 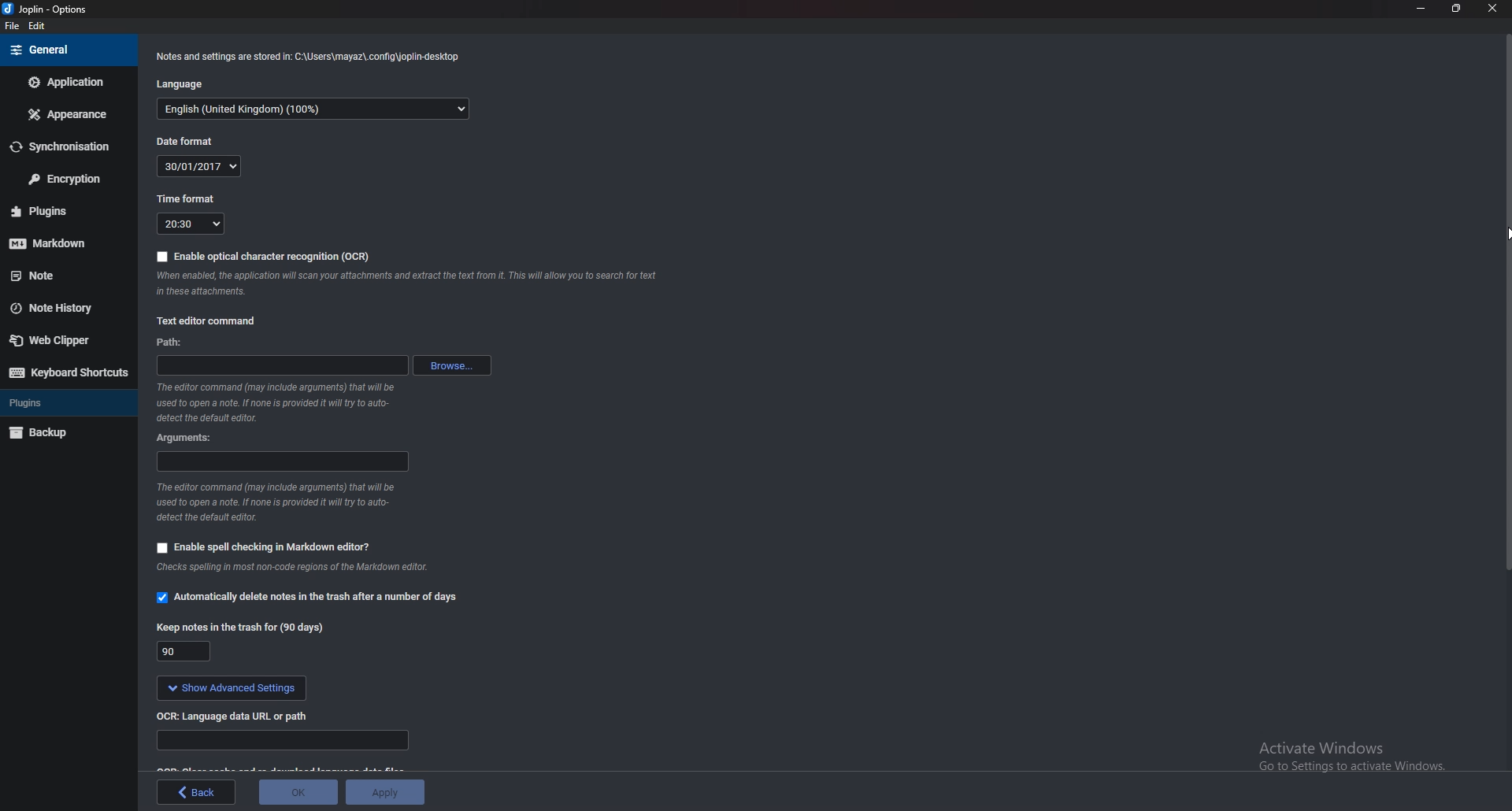 What do you see at coordinates (36, 25) in the screenshot?
I see `Edit` at bounding box center [36, 25].